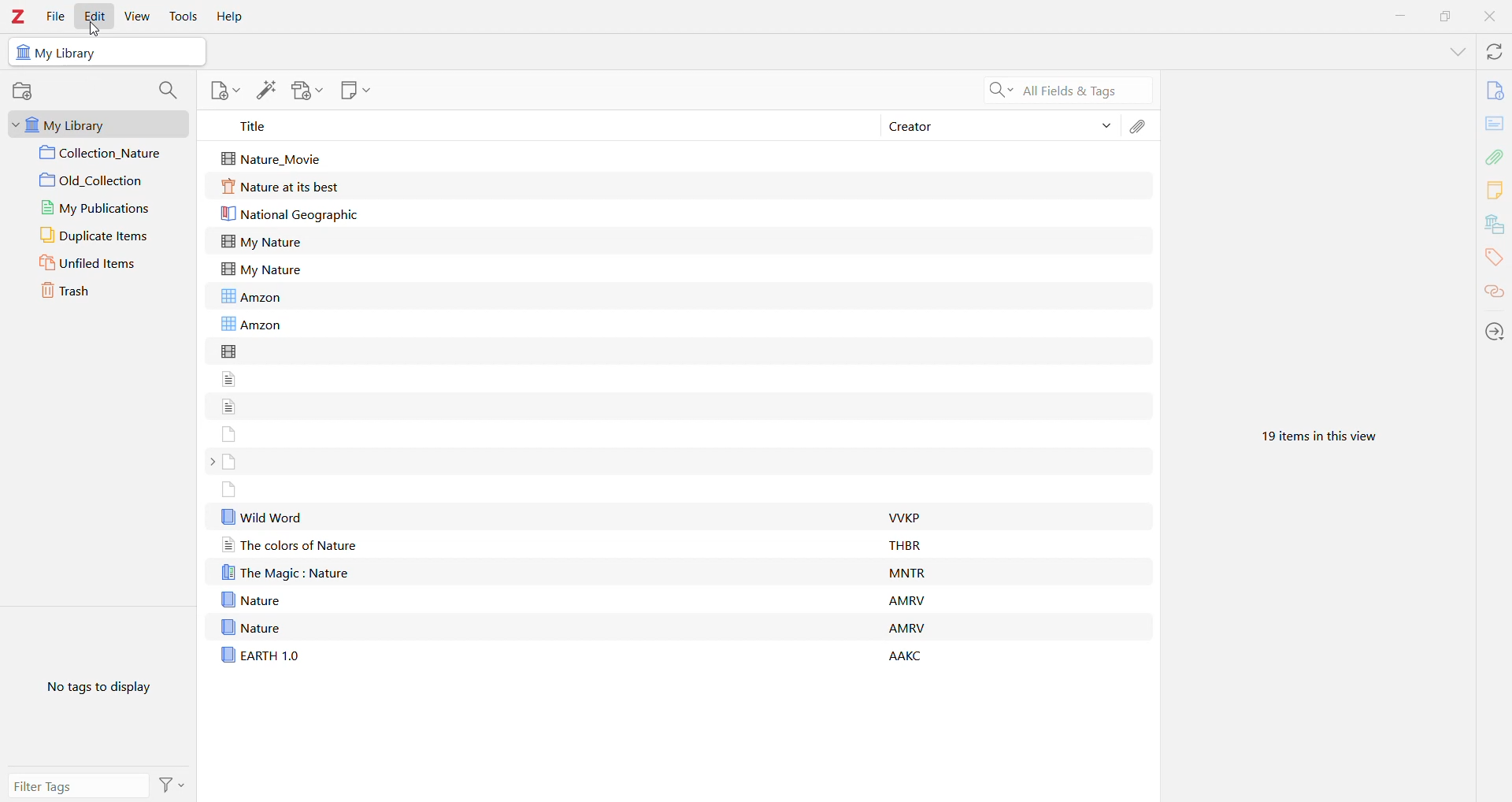 The height and width of the screenshot is (802, 1512). I want to click on Attachments, so click(1139, 127).